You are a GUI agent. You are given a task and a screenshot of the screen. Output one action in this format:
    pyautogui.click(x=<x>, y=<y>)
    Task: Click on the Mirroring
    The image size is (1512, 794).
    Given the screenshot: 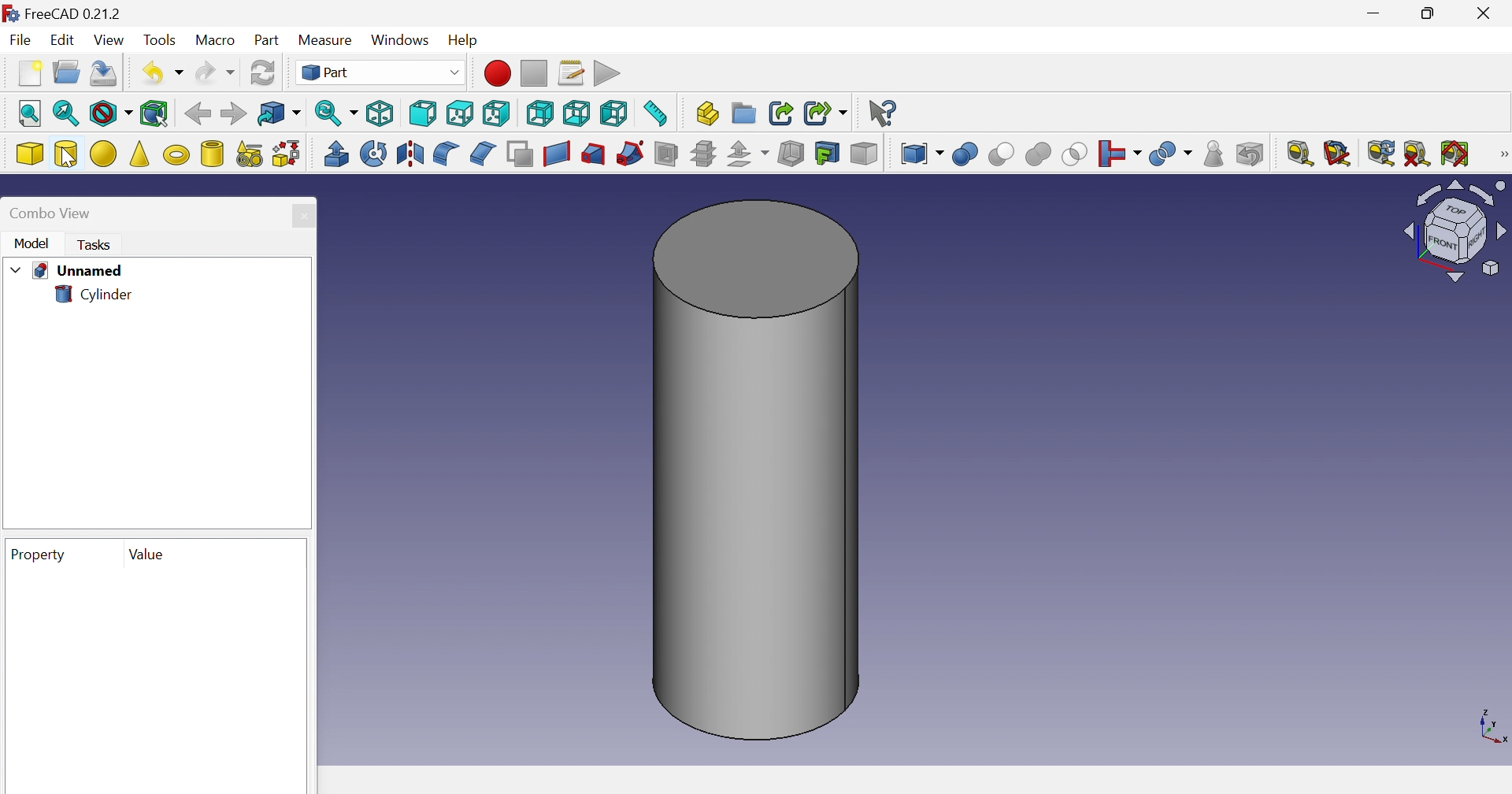 What is the action you would take?
    pyautogui.click(x=409, y=154)
    